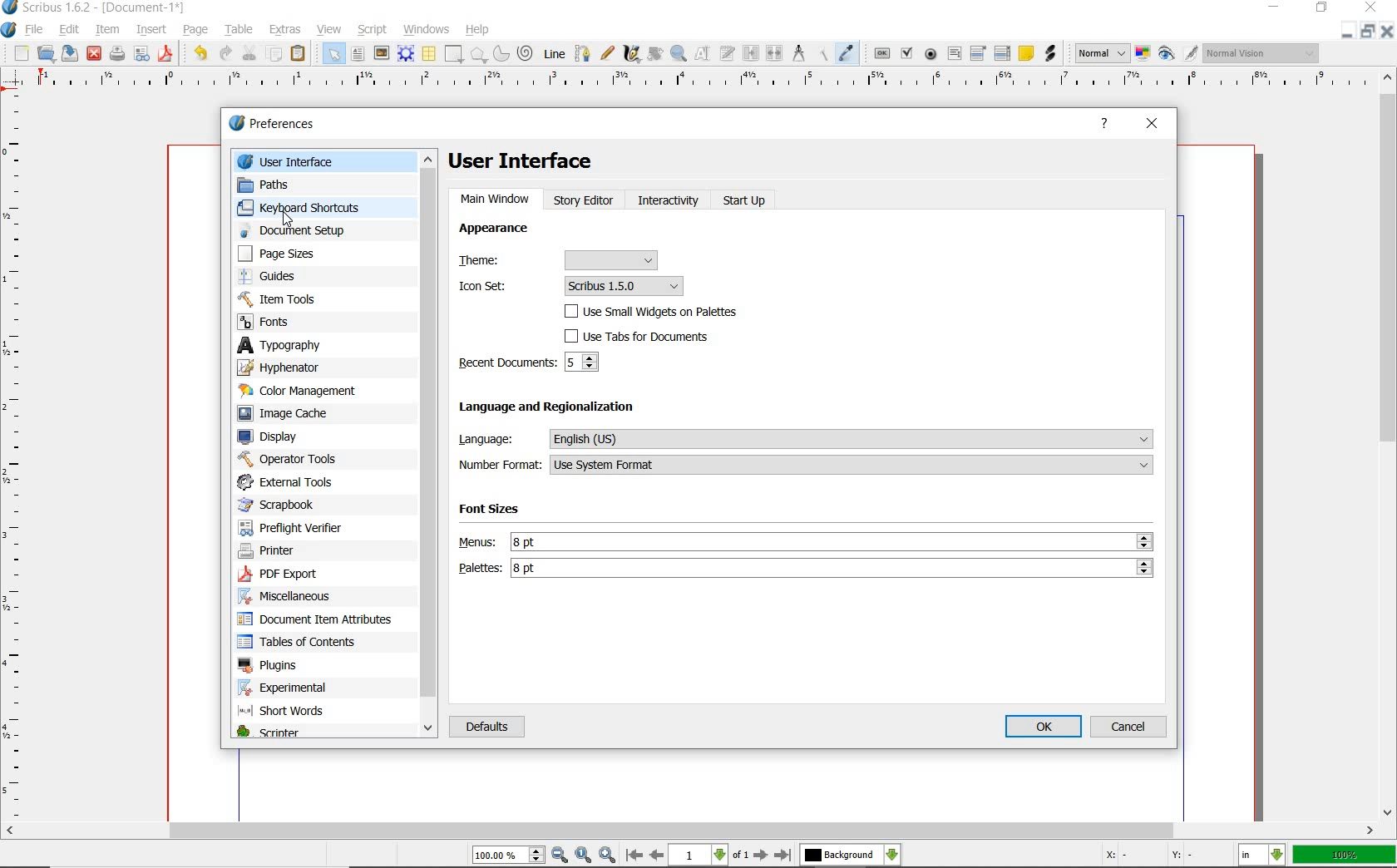 The image size is (1397, 868). Describe the element at coordinates (847, 52) in the screenshot. I see `eye dropper` at that location.